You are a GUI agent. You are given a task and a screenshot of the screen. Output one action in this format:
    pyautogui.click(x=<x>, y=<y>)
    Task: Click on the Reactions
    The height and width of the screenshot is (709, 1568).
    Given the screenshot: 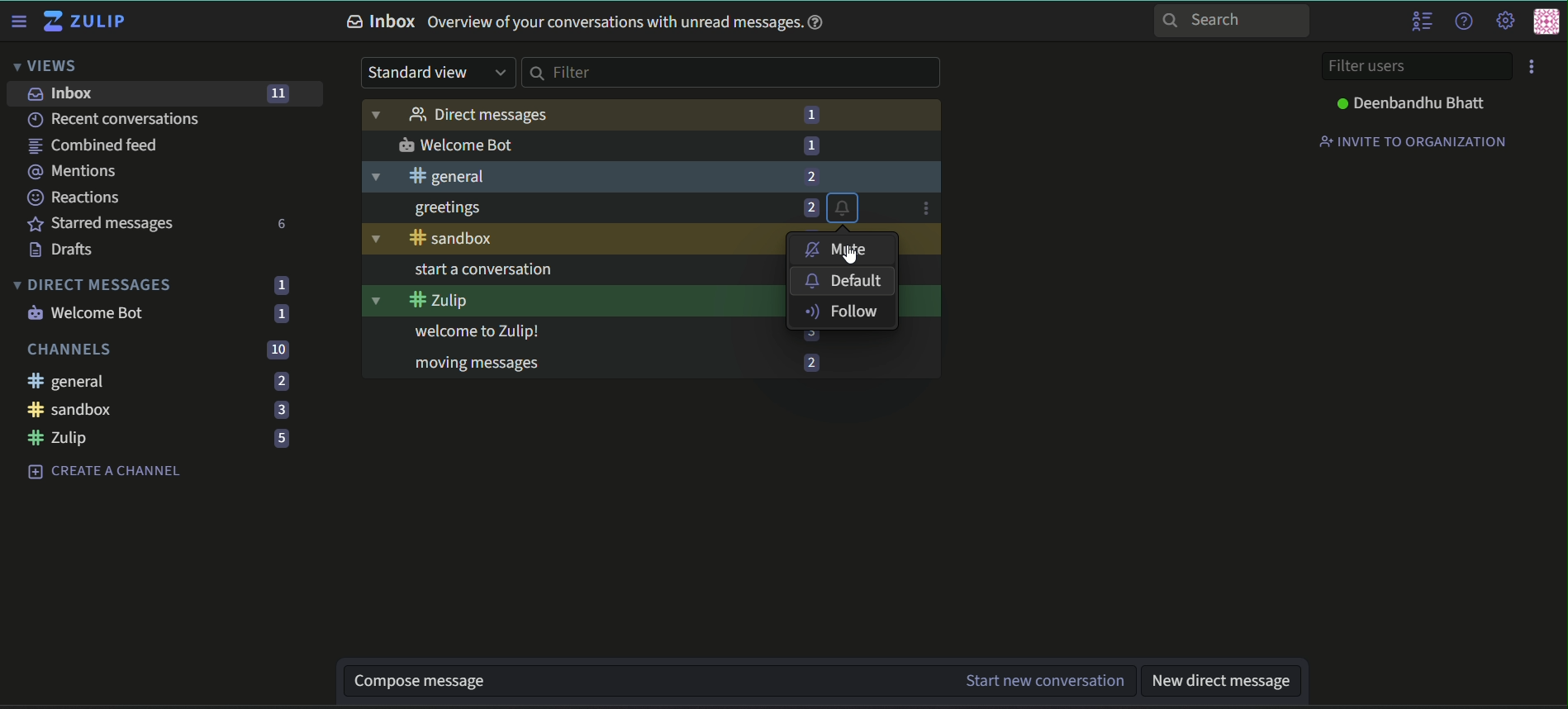 What is the action you would take?
    pyautogui.click(x=75, y=198)
    